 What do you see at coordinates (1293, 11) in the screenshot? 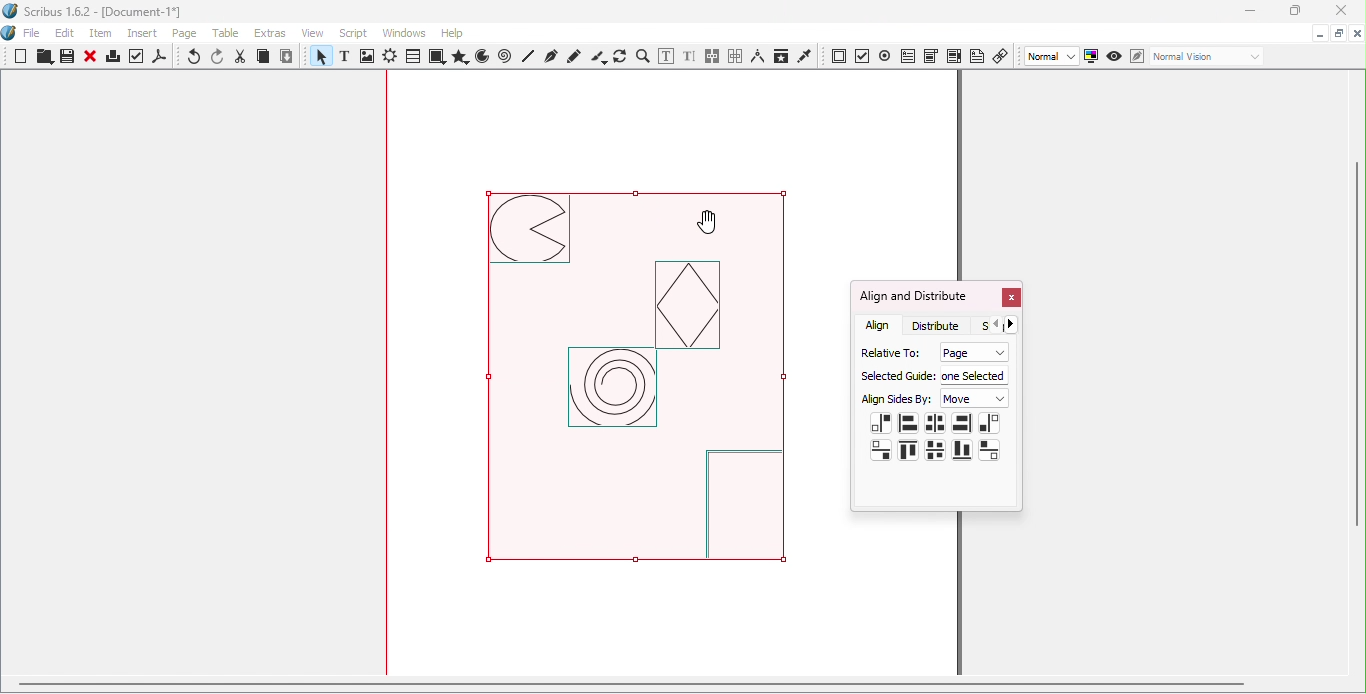
I see `Maximize` at bounding box center [1293, 11].